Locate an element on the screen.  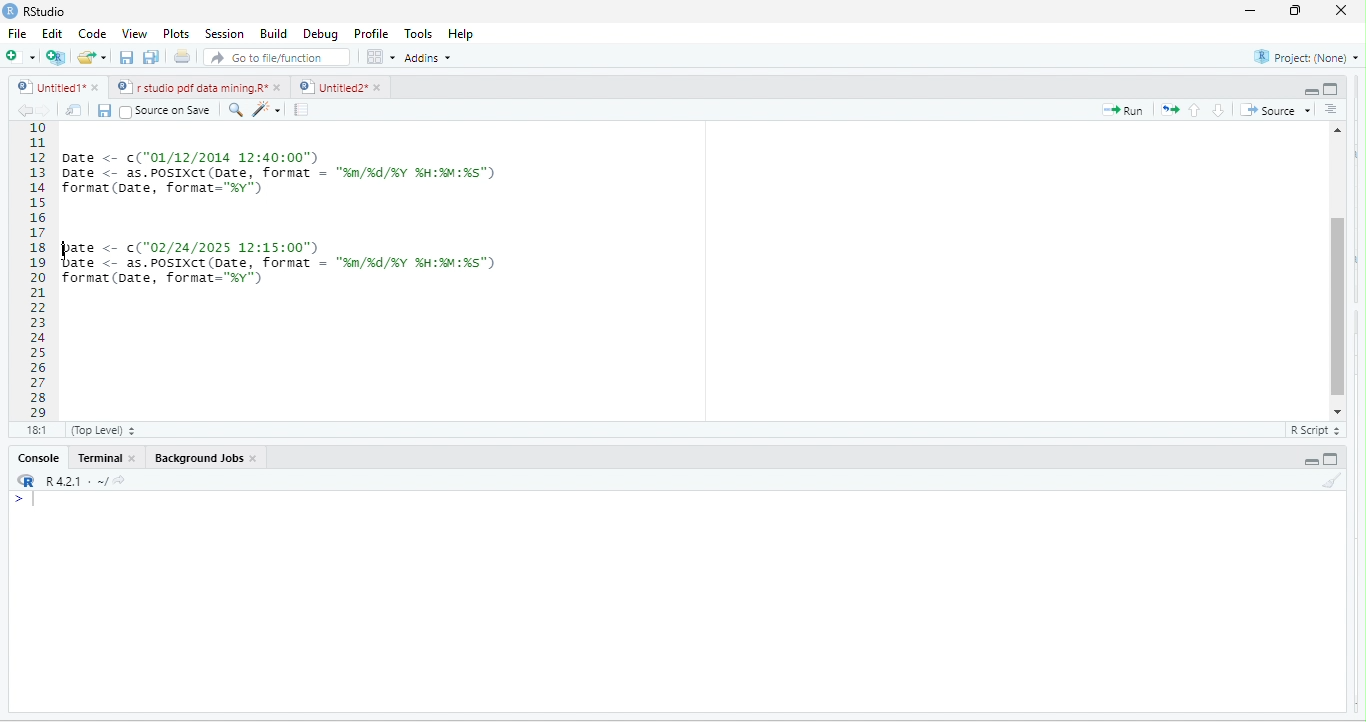
Edit is located at coordinates (52, 36).